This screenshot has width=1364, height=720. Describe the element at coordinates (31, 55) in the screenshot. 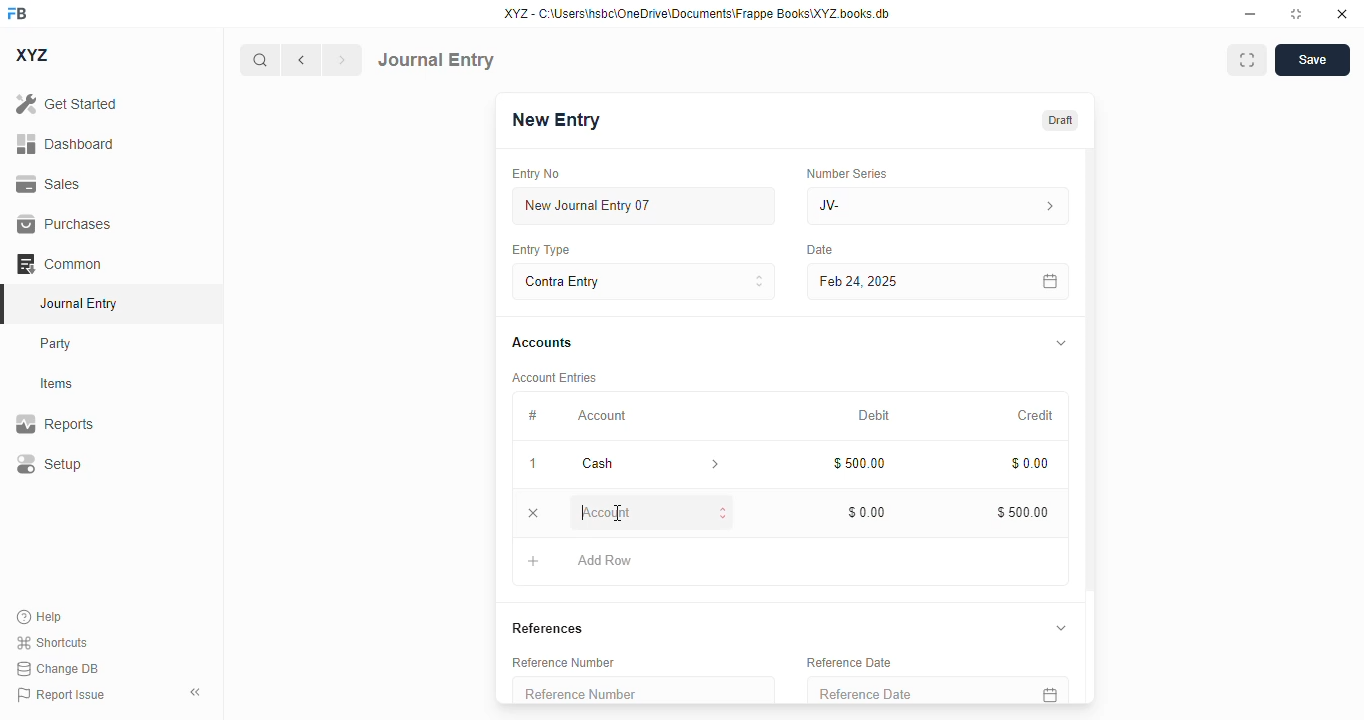

I see `XYZ` at that location.